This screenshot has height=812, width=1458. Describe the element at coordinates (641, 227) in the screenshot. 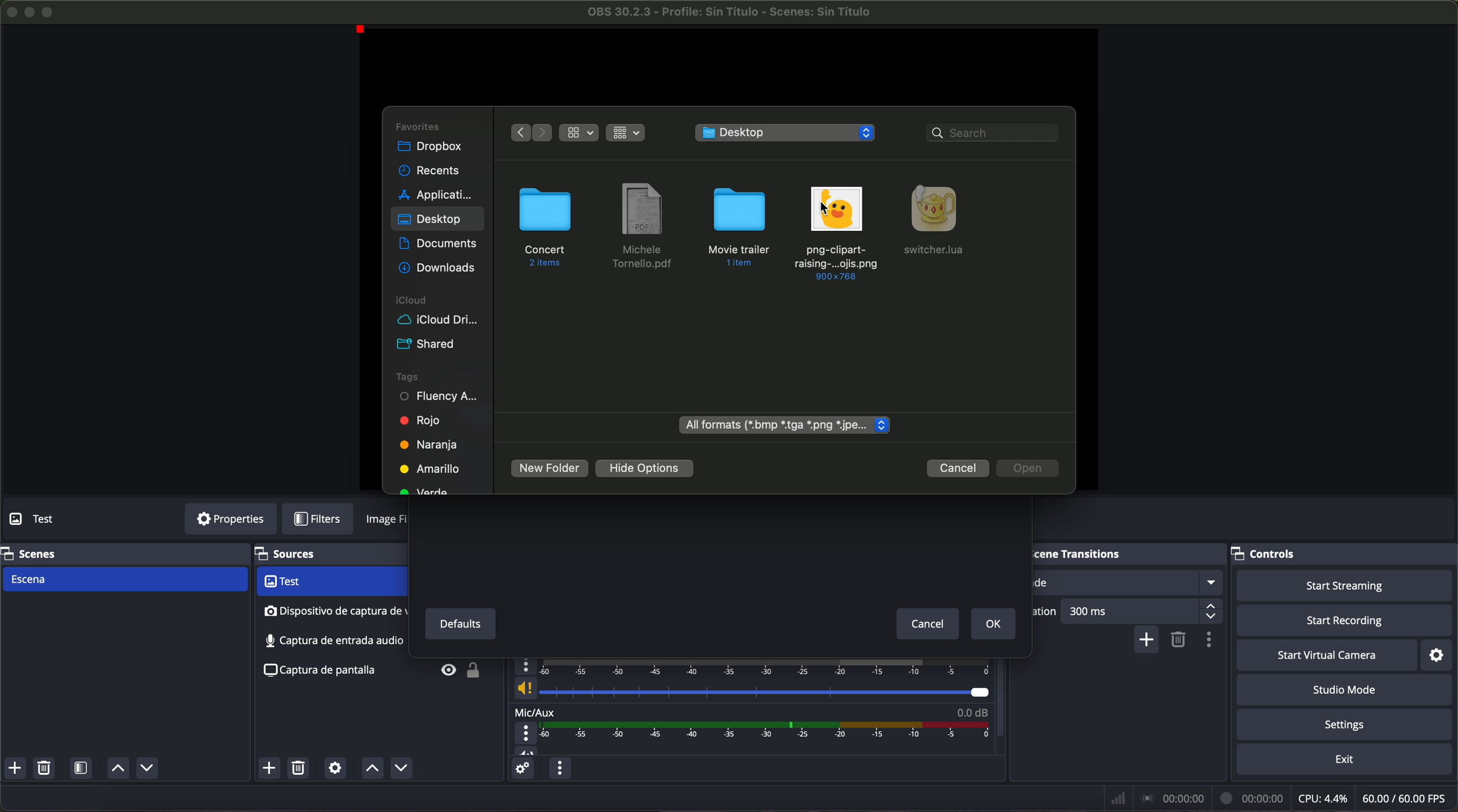

I see `file` at that location.